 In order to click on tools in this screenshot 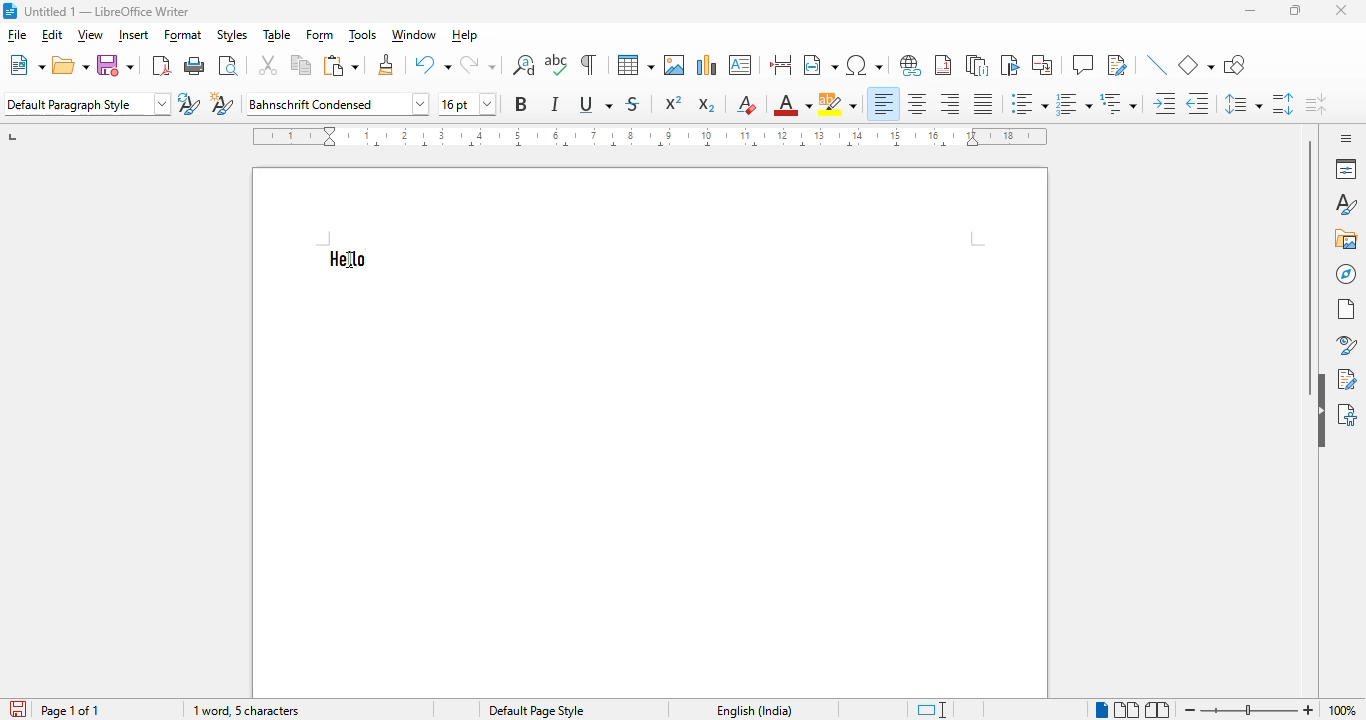, I will do `click(363, 36)`.